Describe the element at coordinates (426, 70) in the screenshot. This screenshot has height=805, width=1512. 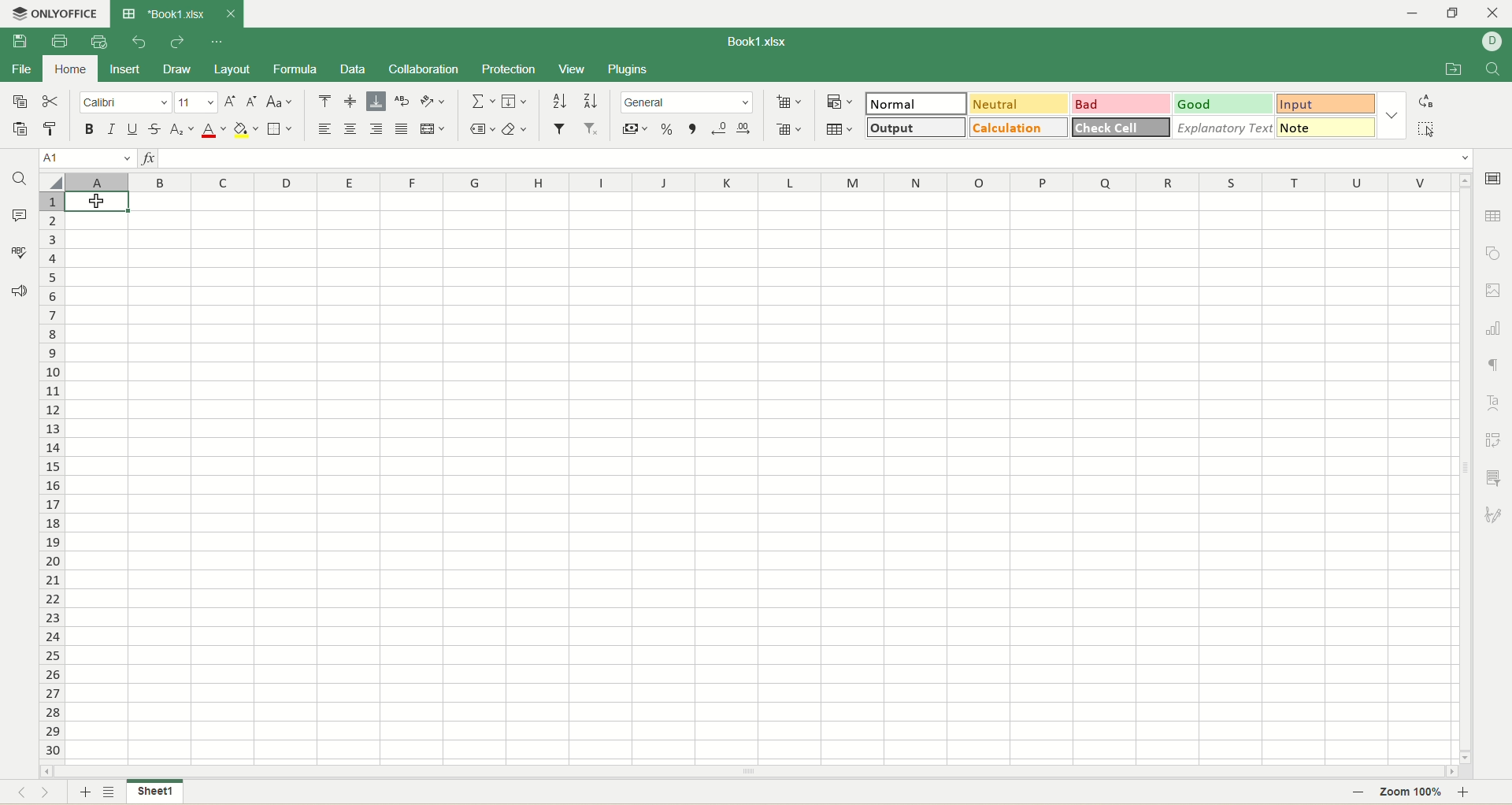
I see `collaboration` at that location.